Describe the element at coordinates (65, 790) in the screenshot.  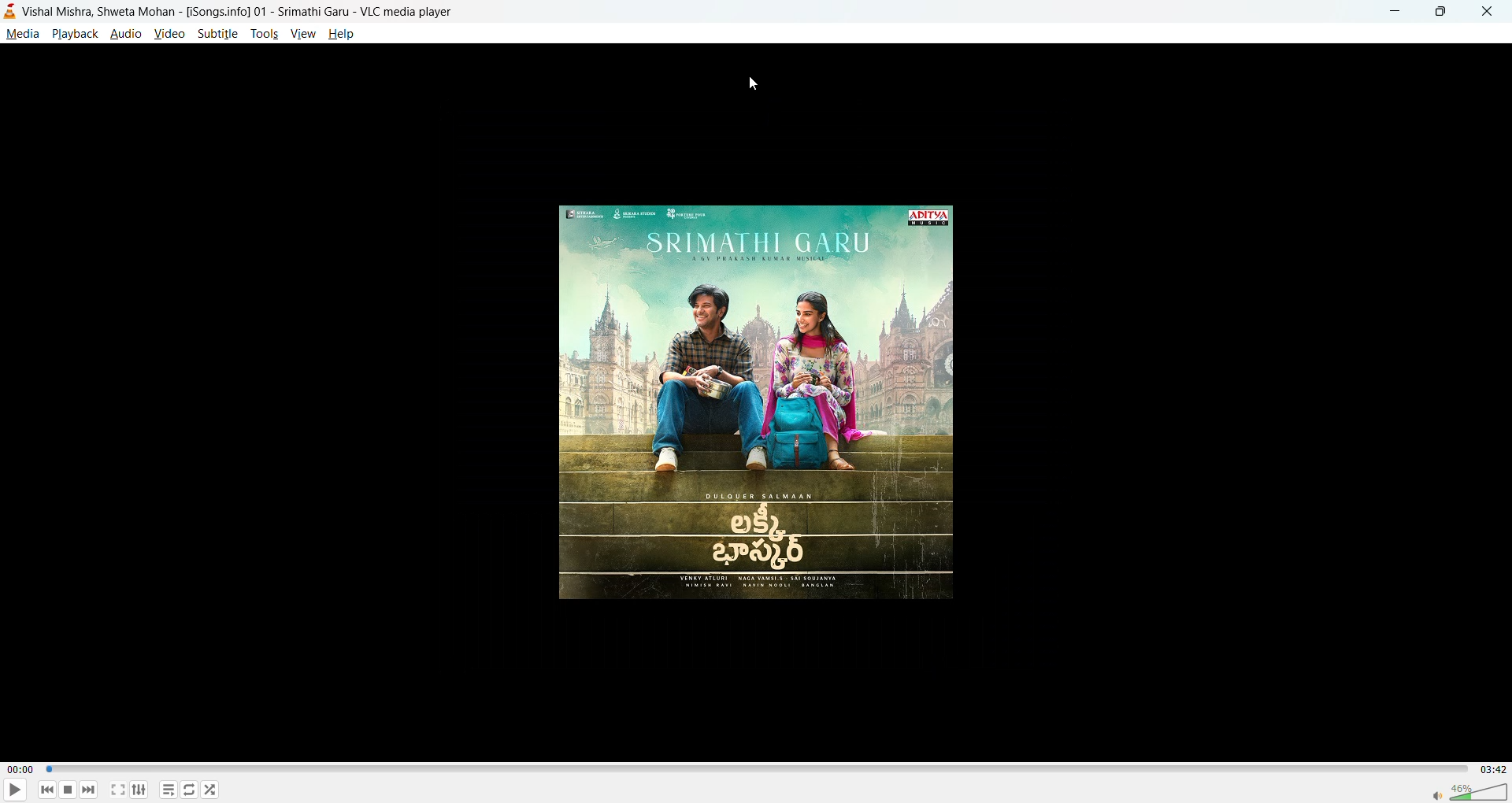
I see `stop` at that location.